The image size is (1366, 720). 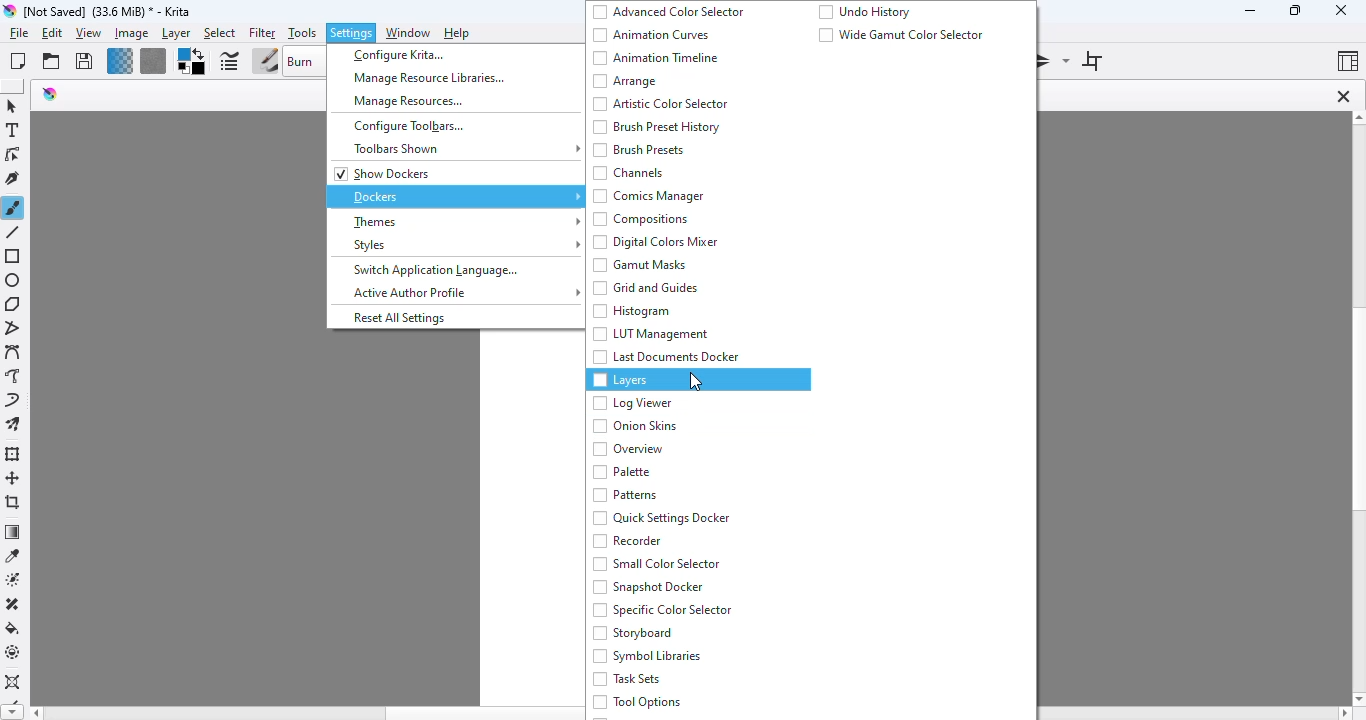 I want to click on brush presets, so click(x=639, y=150).